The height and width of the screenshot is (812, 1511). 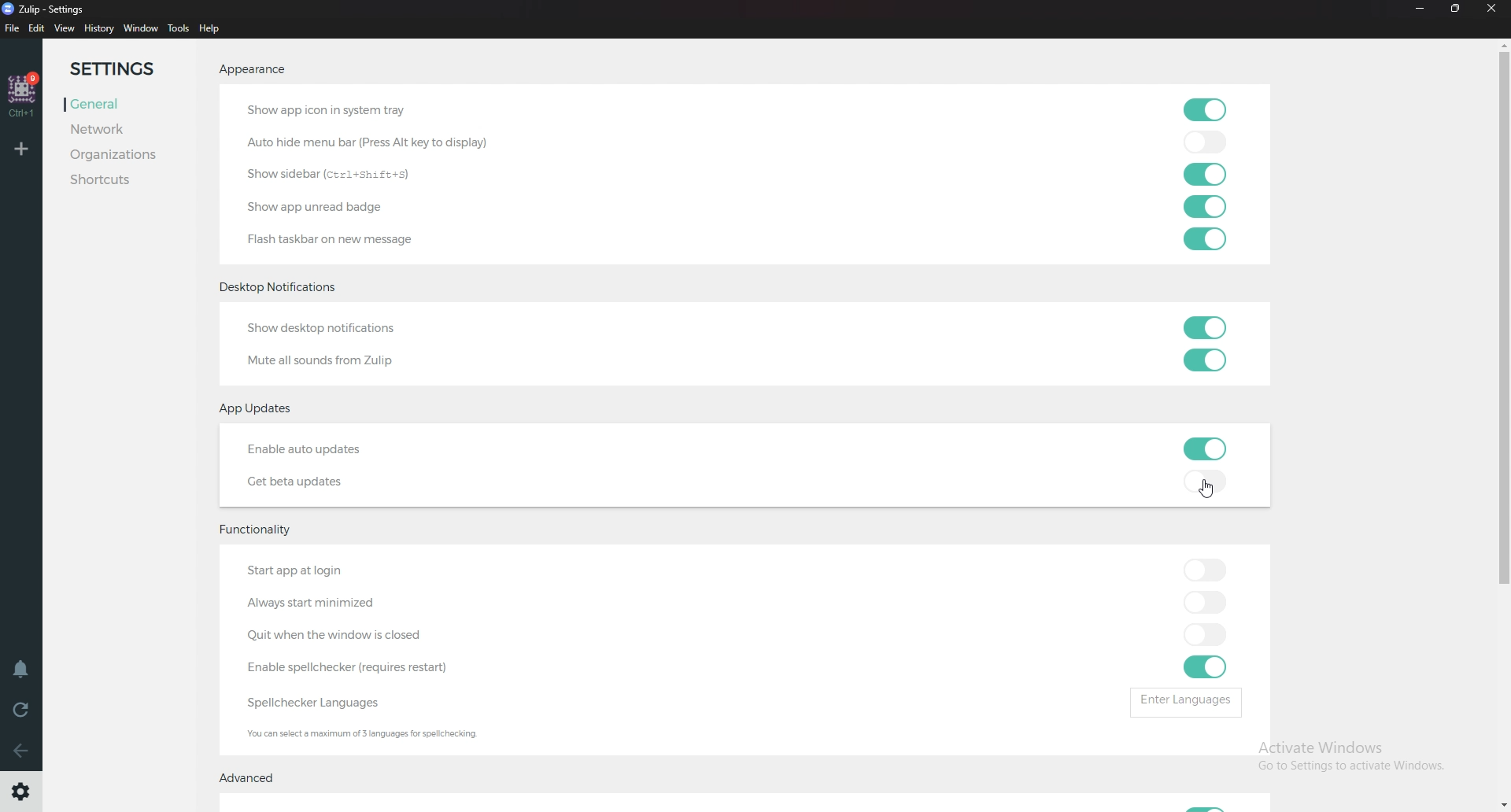 I want to click on Activate Windows Go to Settings to activate Windows, so click(x=1349, y=755).